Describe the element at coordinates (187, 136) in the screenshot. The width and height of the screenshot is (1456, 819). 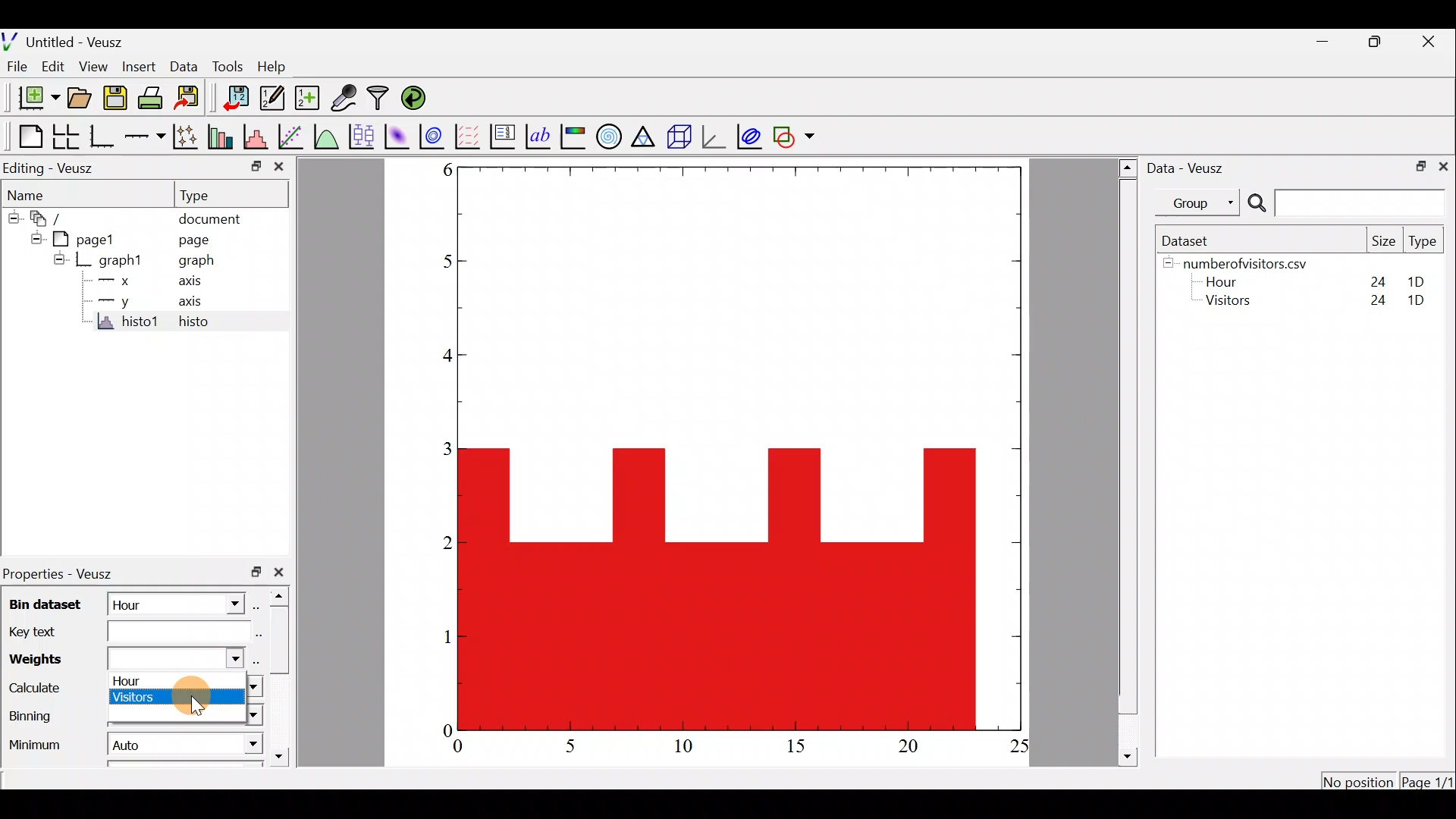
I see `plot points with lines and error bars` at that location.